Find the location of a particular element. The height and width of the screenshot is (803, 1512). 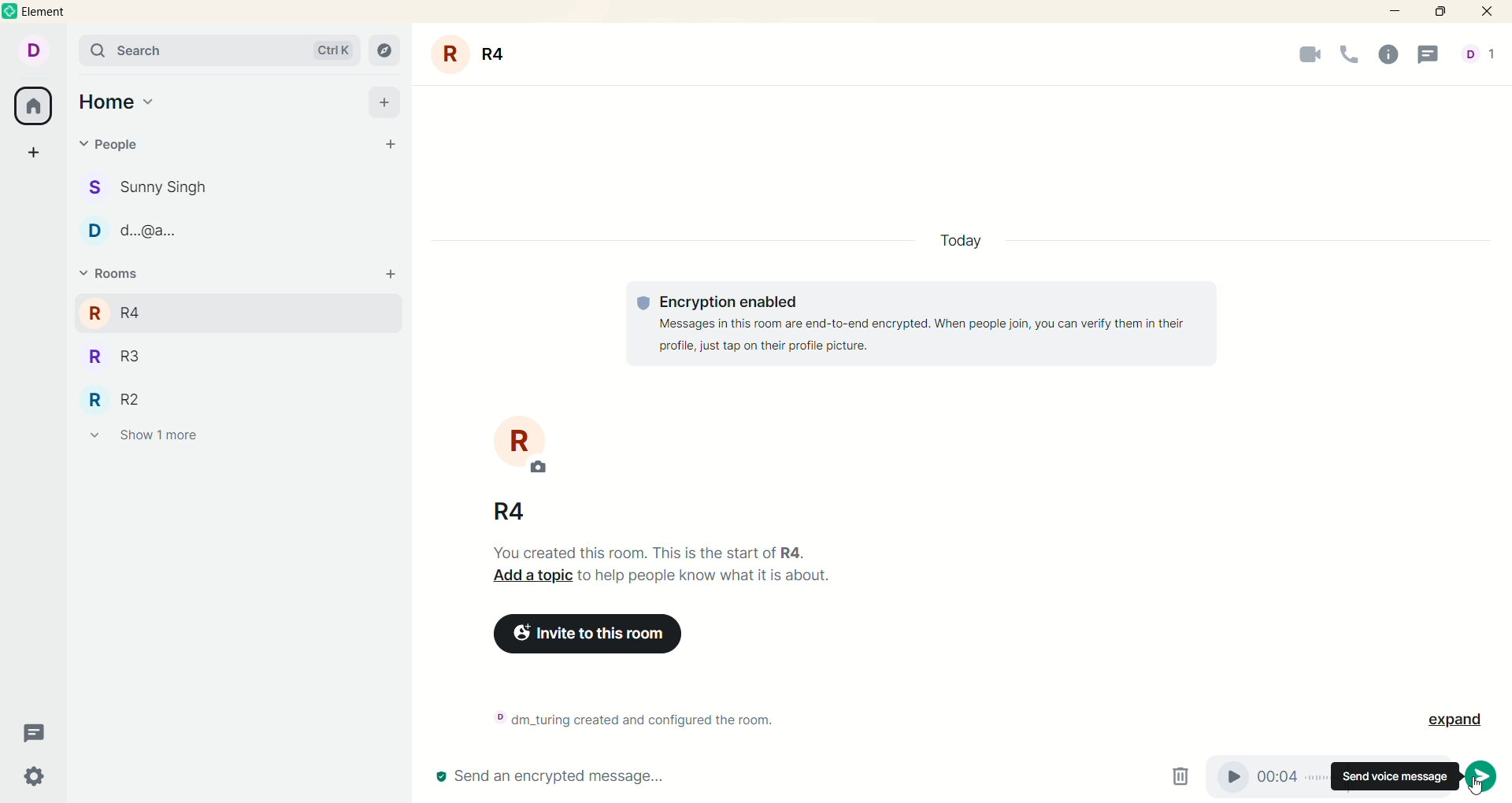

people is located at coordinates (161, 235).